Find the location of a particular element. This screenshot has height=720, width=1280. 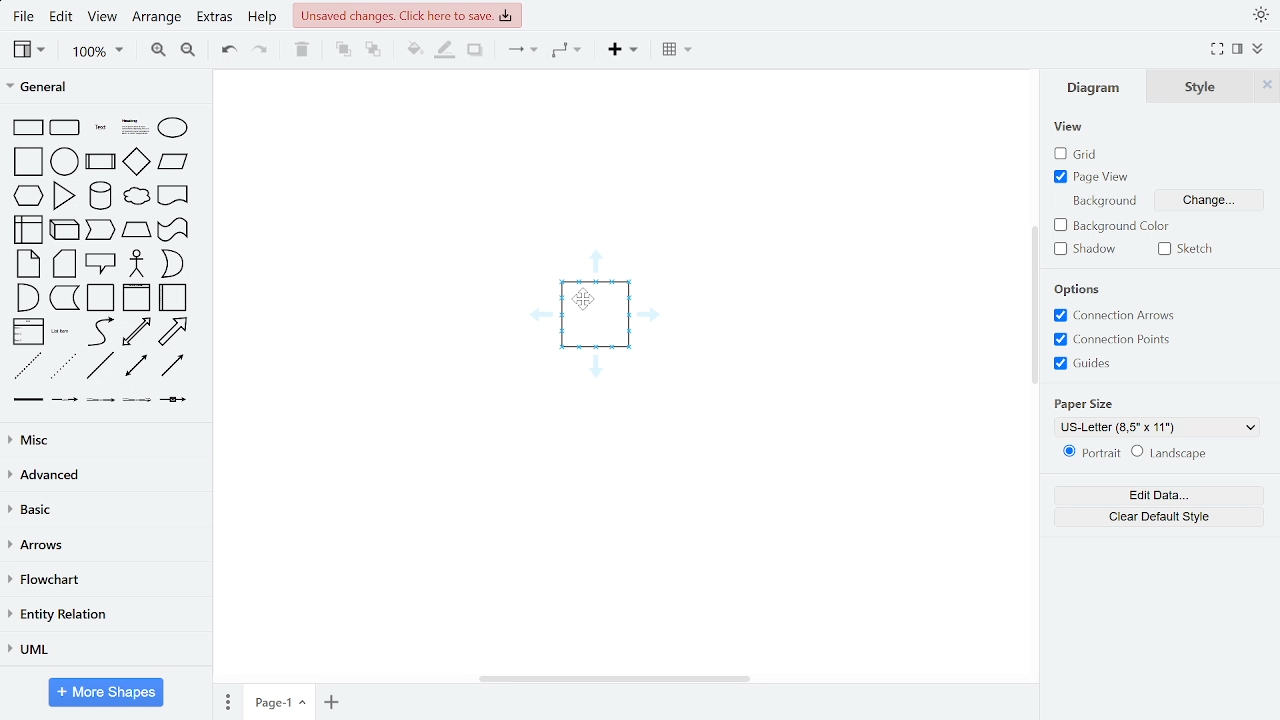

general shapes is located at coordinates (97, 230).